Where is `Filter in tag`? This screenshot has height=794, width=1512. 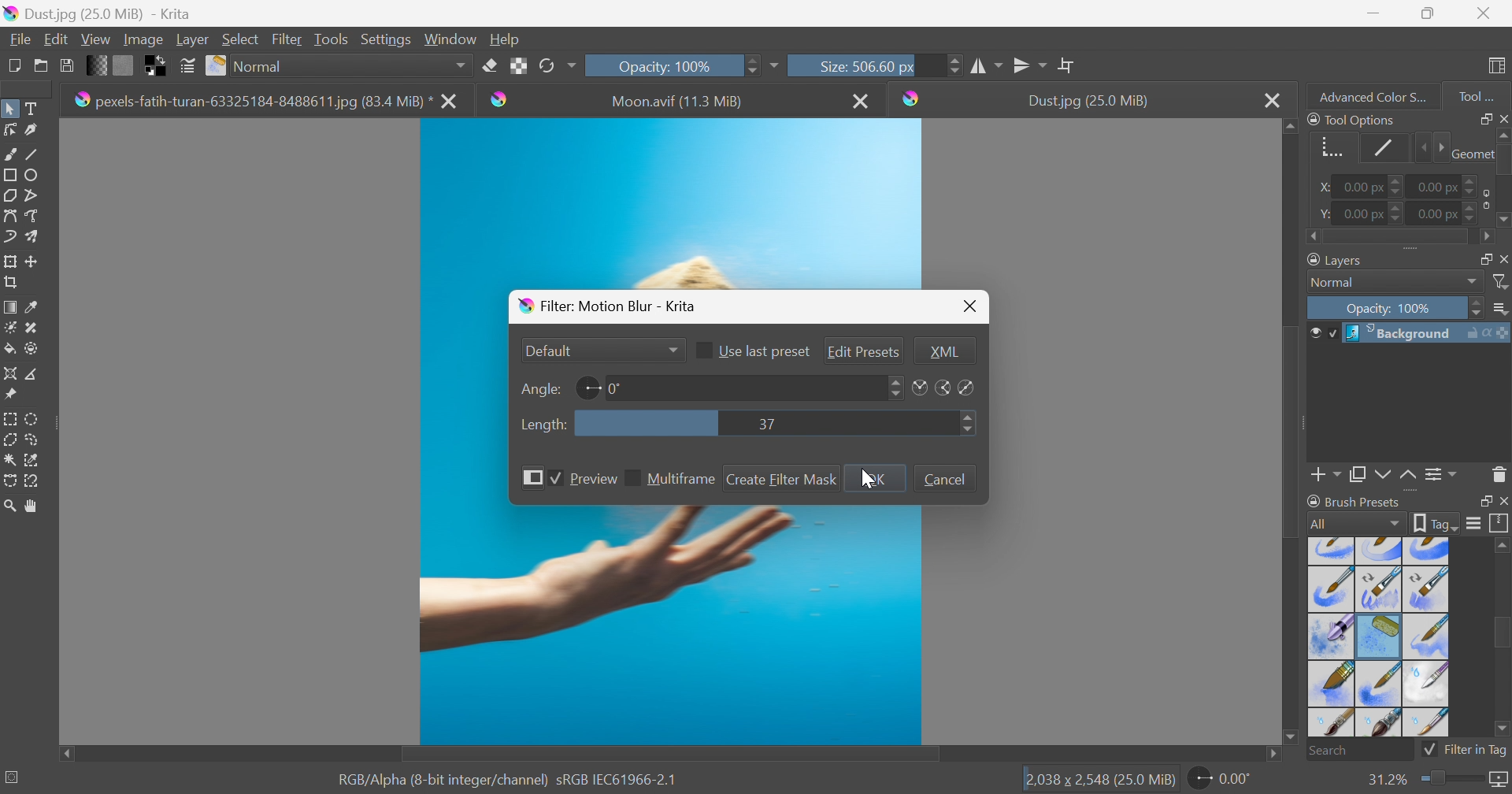
Filter in tag is located at coordinates (1466, 750).